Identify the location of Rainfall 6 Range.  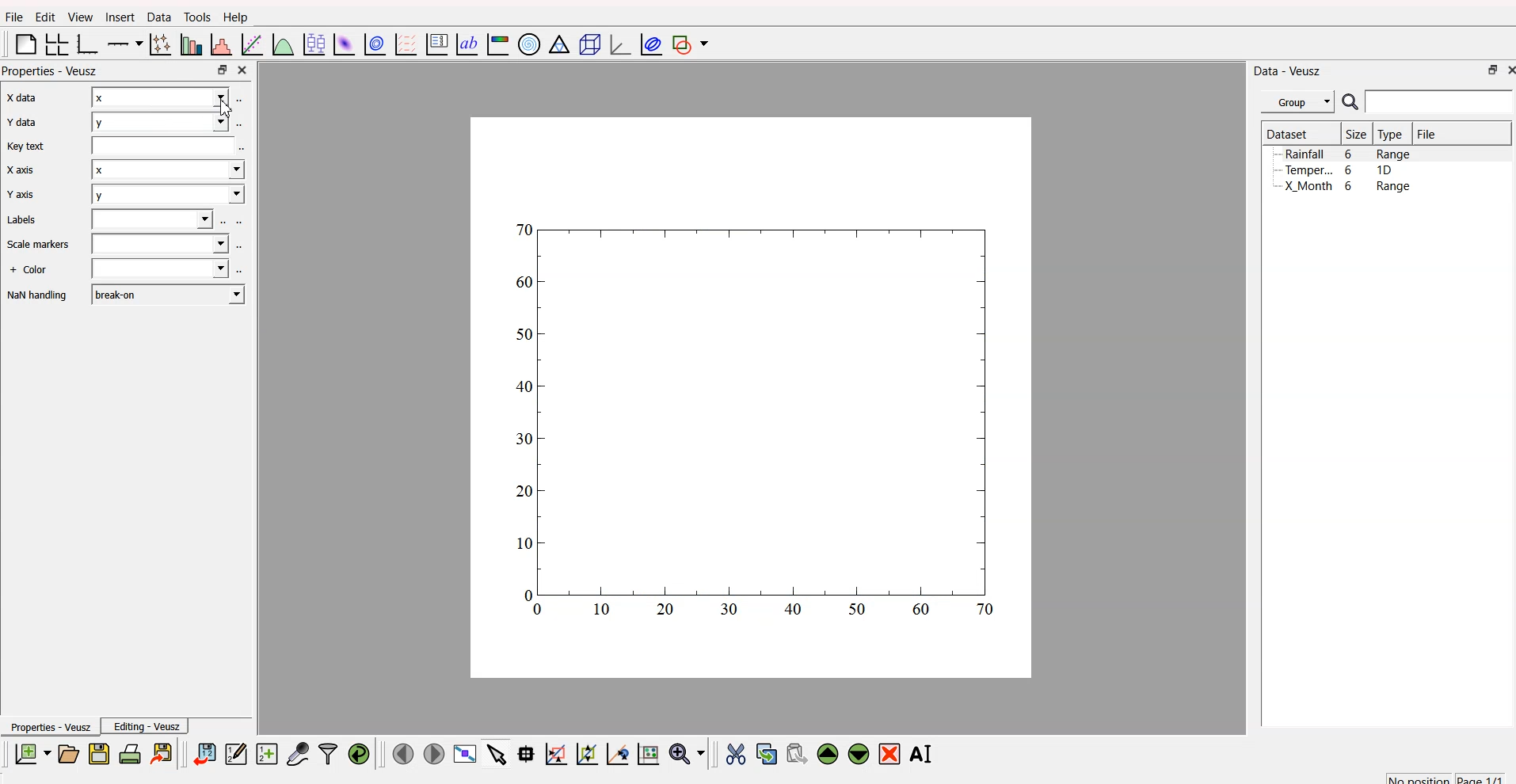
(1350, 154).